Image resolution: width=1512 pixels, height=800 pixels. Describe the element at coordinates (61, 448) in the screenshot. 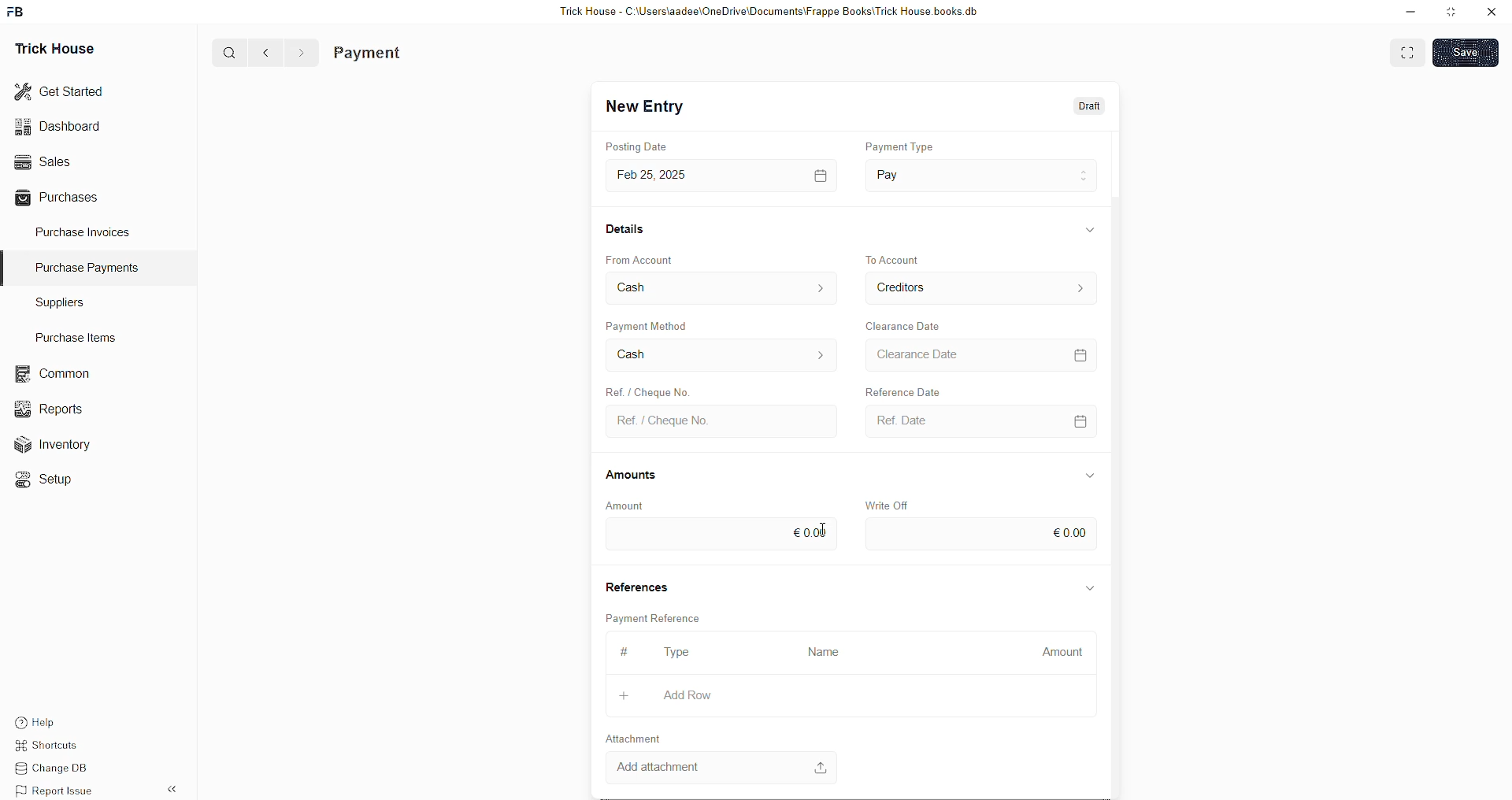

I see `Inventory` at that location.